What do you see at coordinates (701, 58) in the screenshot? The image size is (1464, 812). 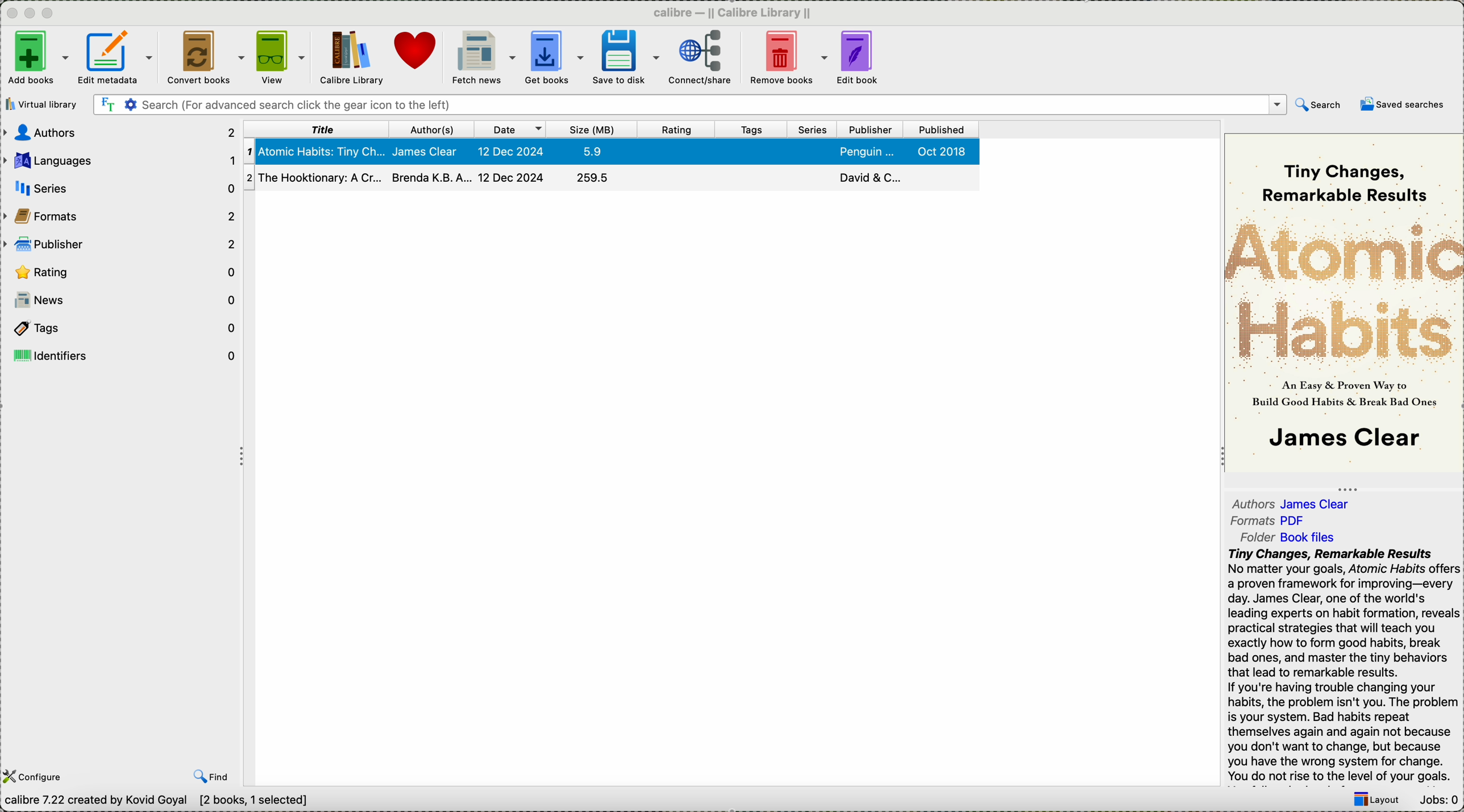 I see `connect/share` at bounding box center [701, 58].